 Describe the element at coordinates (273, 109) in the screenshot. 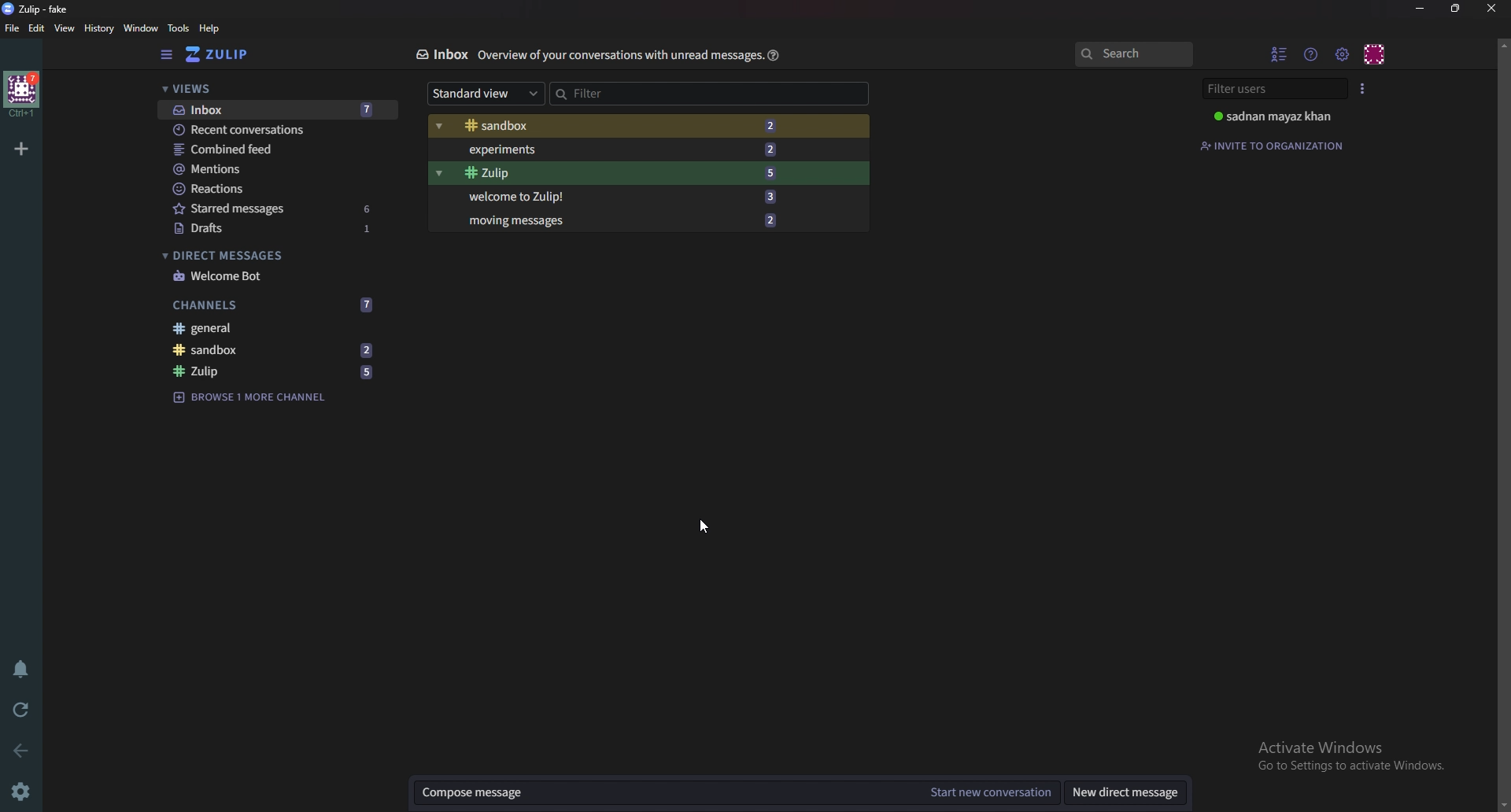

I see `Inbox` at that location.